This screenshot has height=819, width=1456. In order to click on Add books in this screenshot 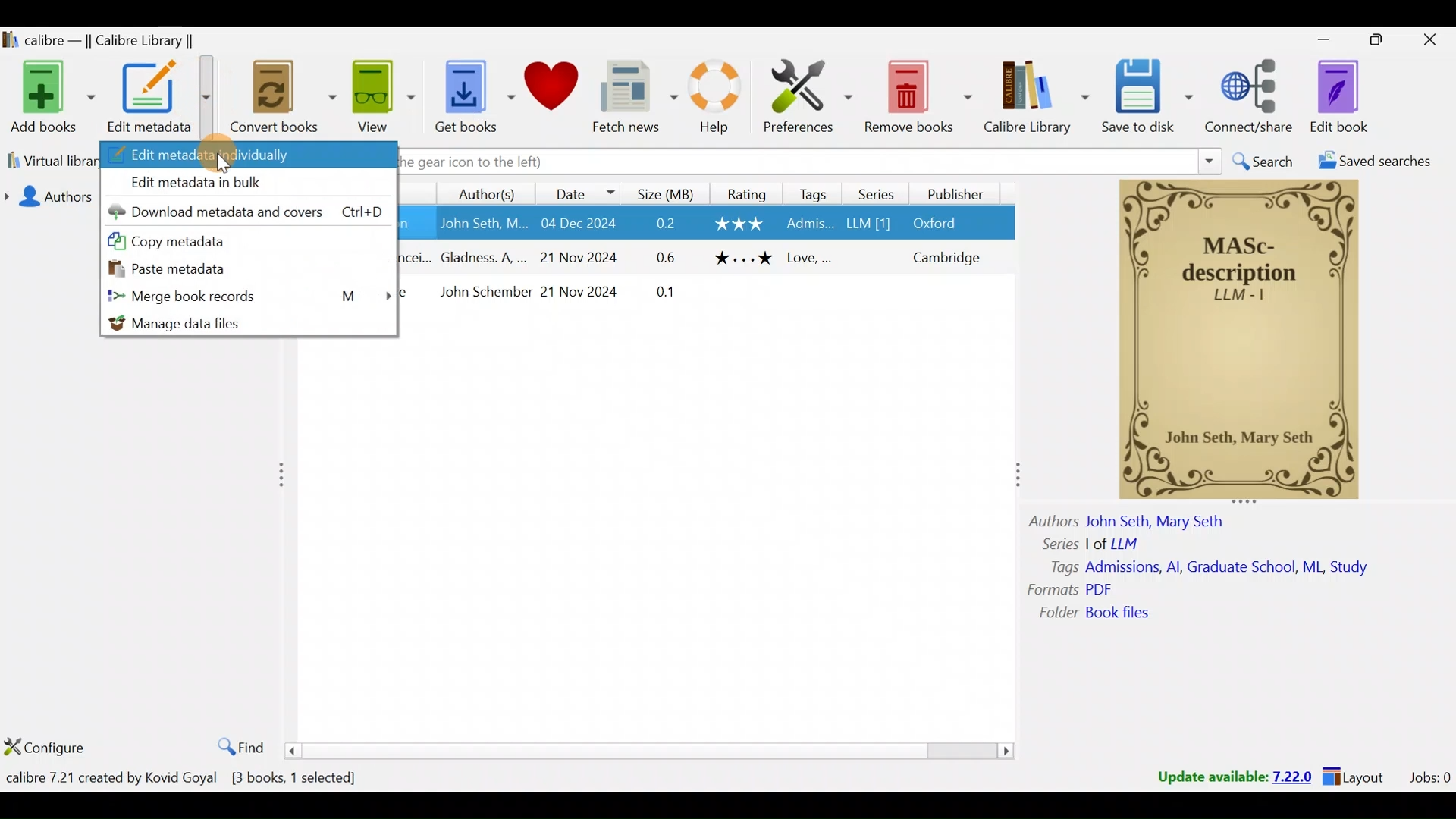, I will do `click(56, 98)`.